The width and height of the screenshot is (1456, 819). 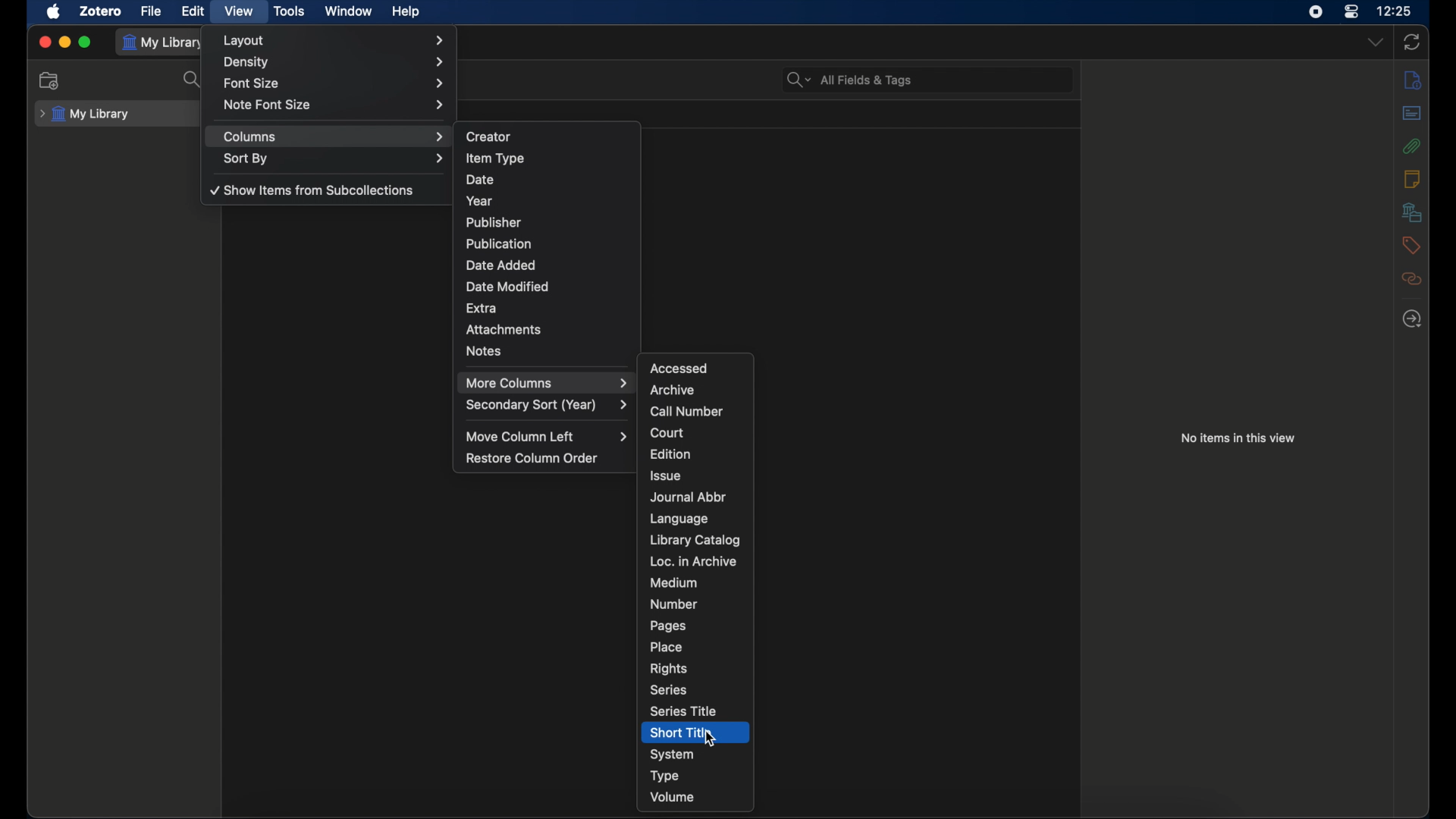 What do you see at coordinates (1410, 245) in the screenshot?
I see `tags` at bounding box center [1410, 245].